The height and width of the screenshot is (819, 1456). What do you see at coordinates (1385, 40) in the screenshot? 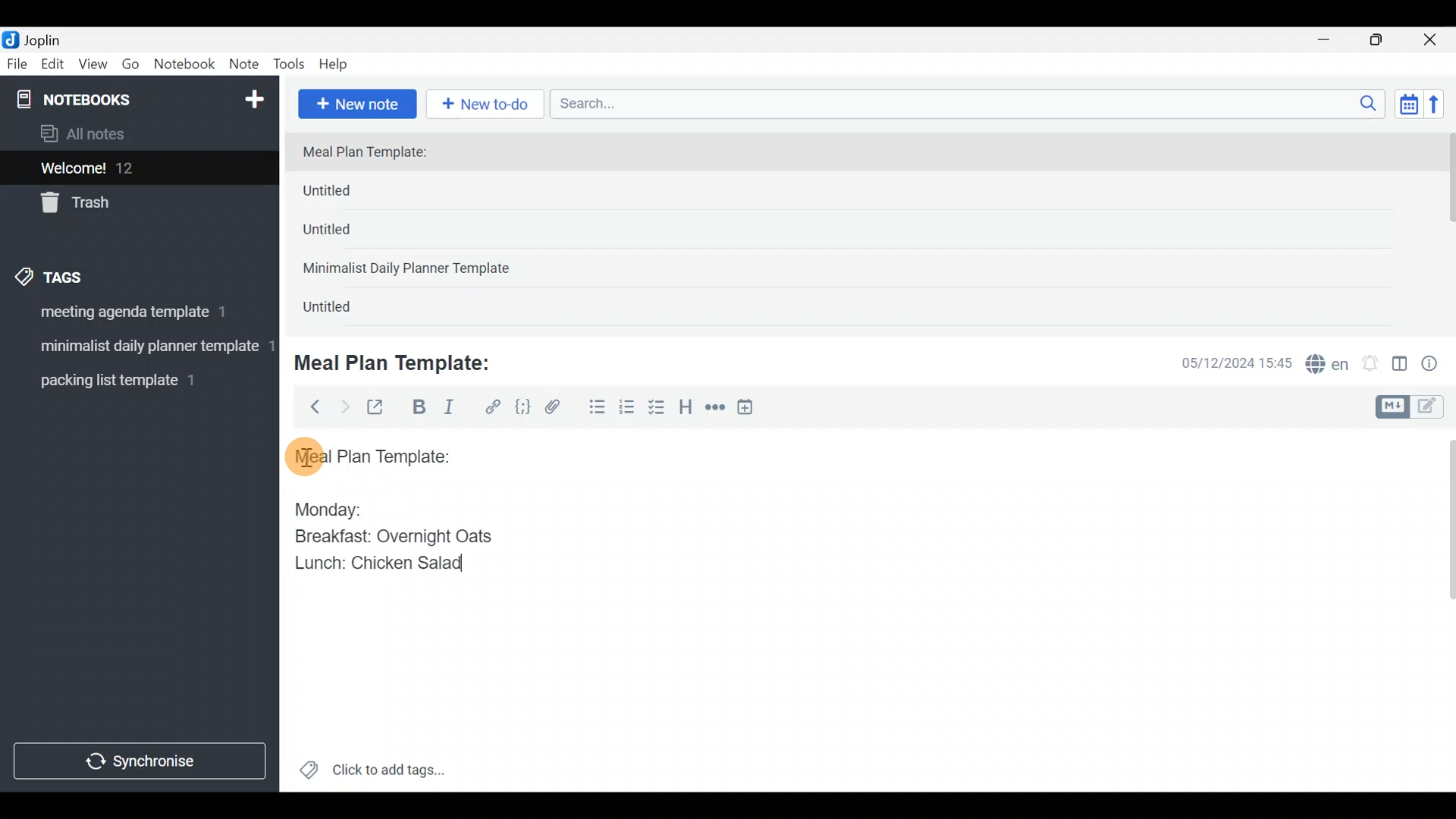
I see `Maximize` at bounding box center [1385, 40].